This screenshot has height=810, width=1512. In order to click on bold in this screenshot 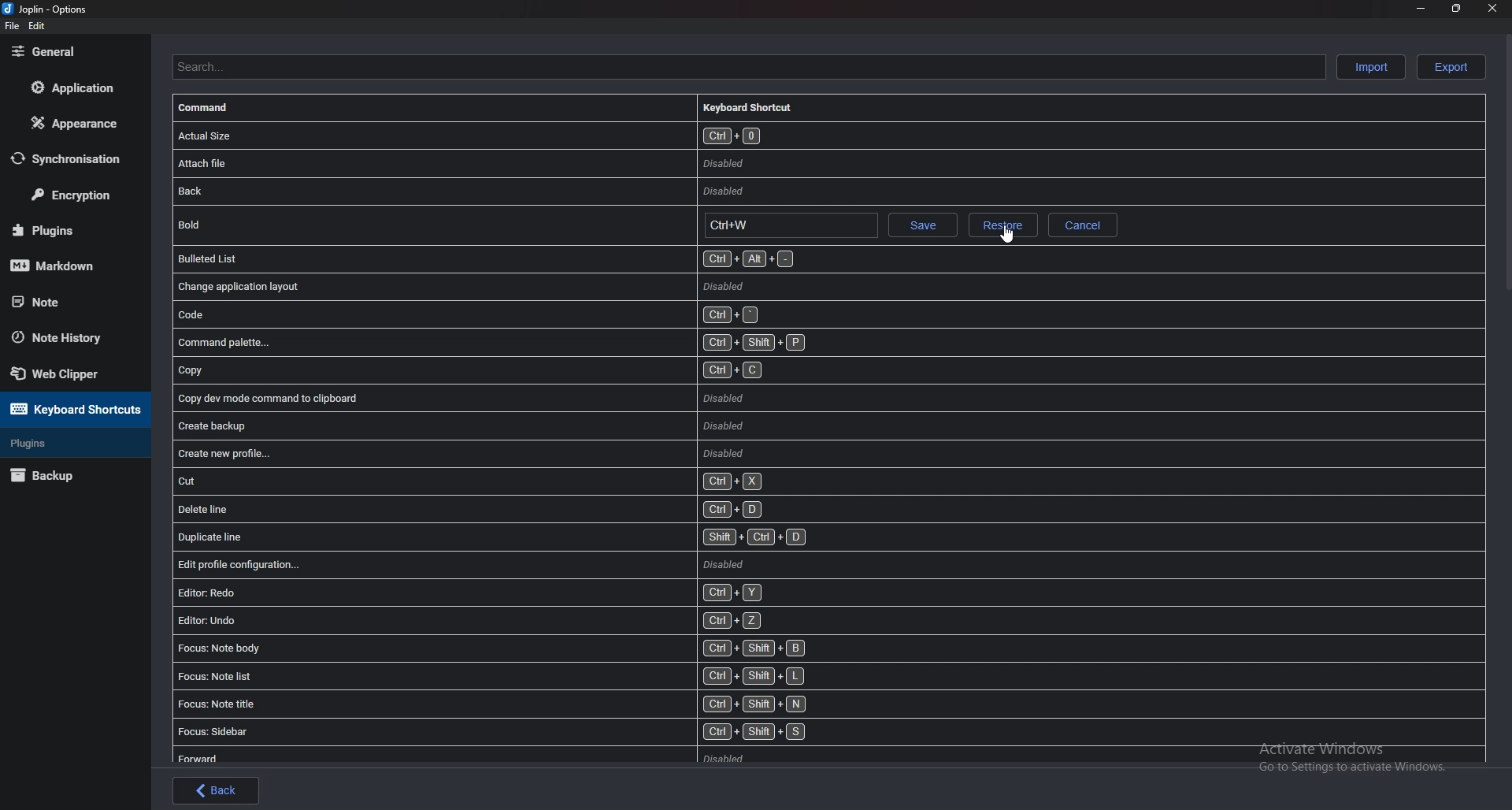, I will do `click(432, 225)`.